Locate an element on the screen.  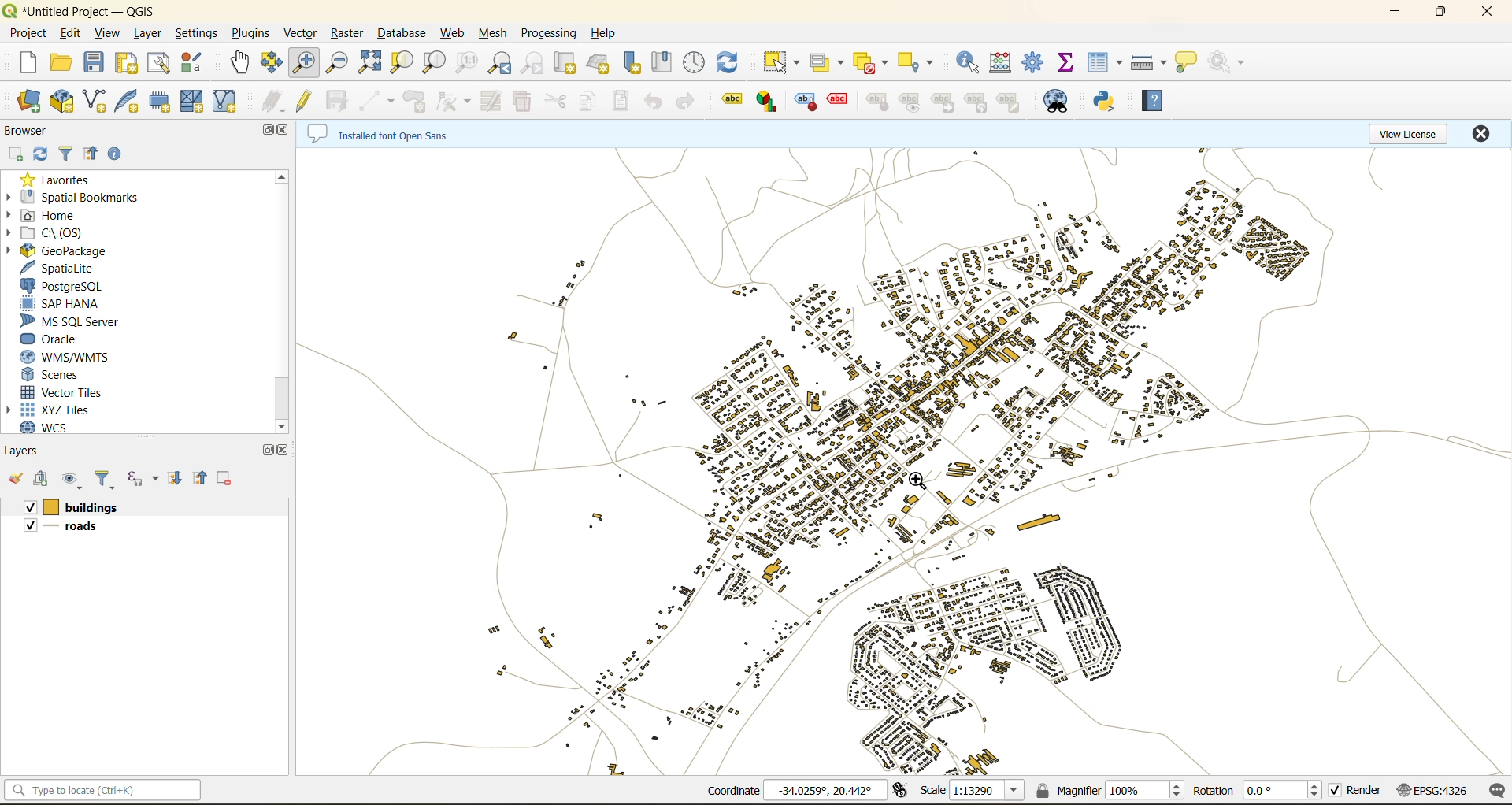
copy is located at coordinates (590, 102).